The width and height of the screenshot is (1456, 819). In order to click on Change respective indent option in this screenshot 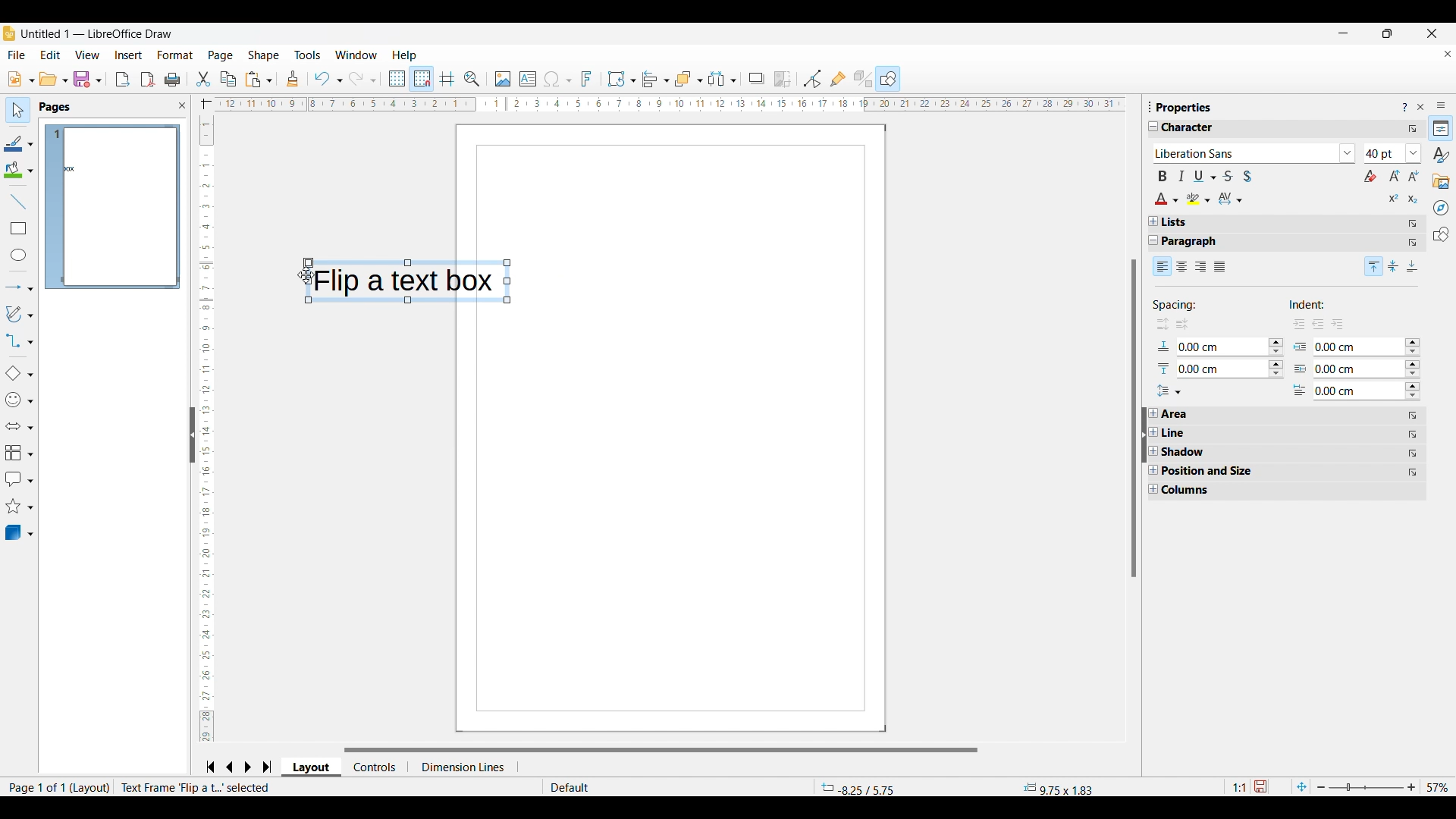, I will do `click(1414, 370)`.